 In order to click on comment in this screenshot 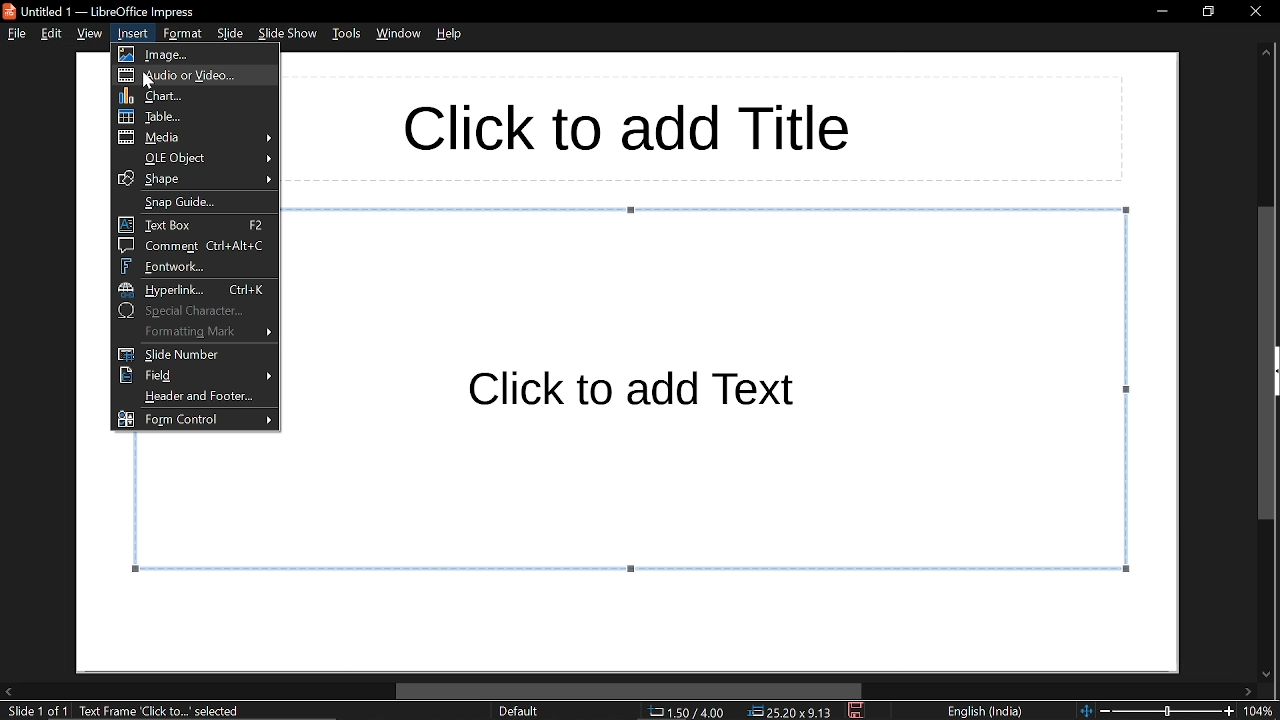, I will do `click(194, 245)`.